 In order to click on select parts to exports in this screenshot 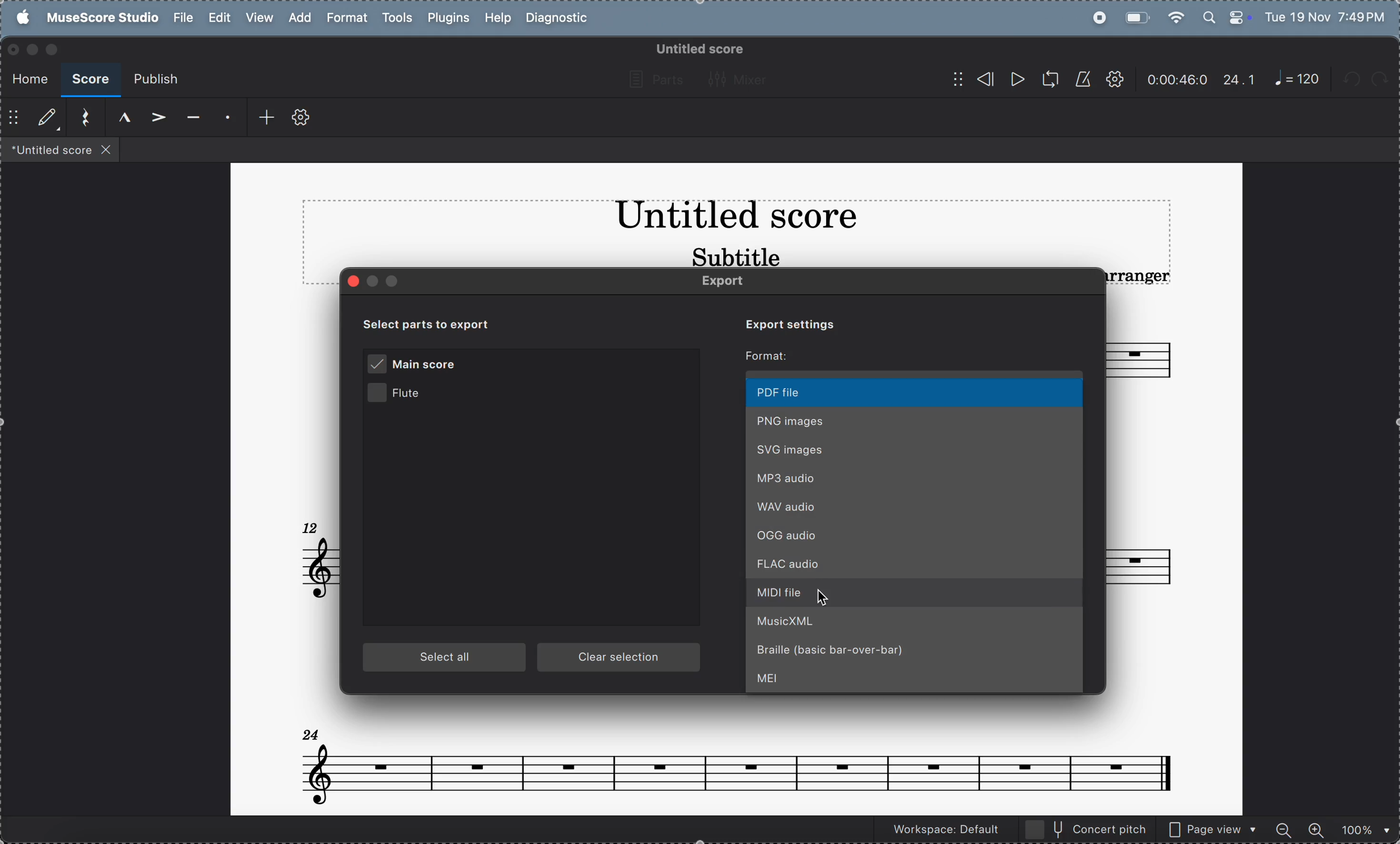, I will do `click(440, 323)`.